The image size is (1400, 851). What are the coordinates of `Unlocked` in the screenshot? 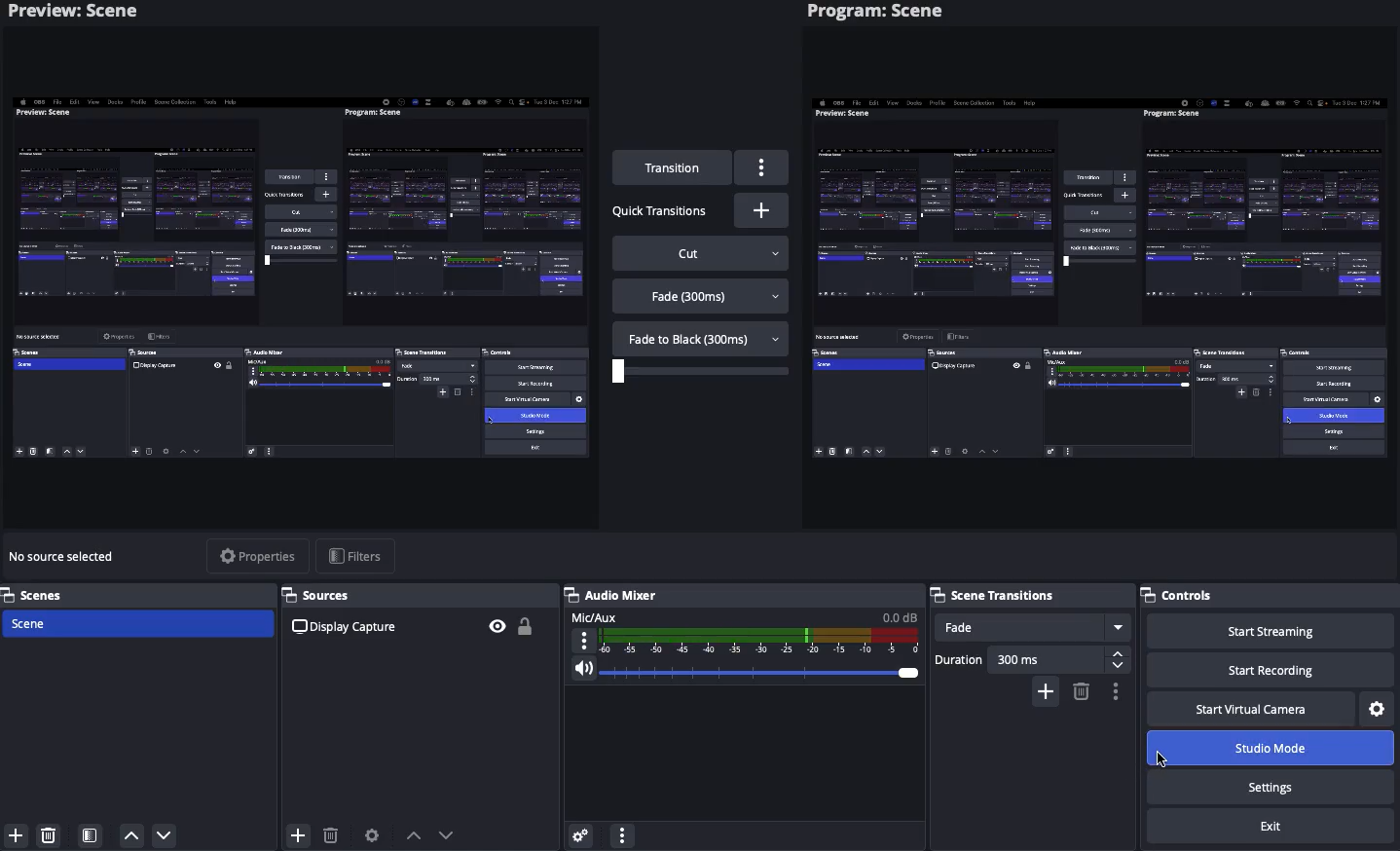 It's located at (525, 625).